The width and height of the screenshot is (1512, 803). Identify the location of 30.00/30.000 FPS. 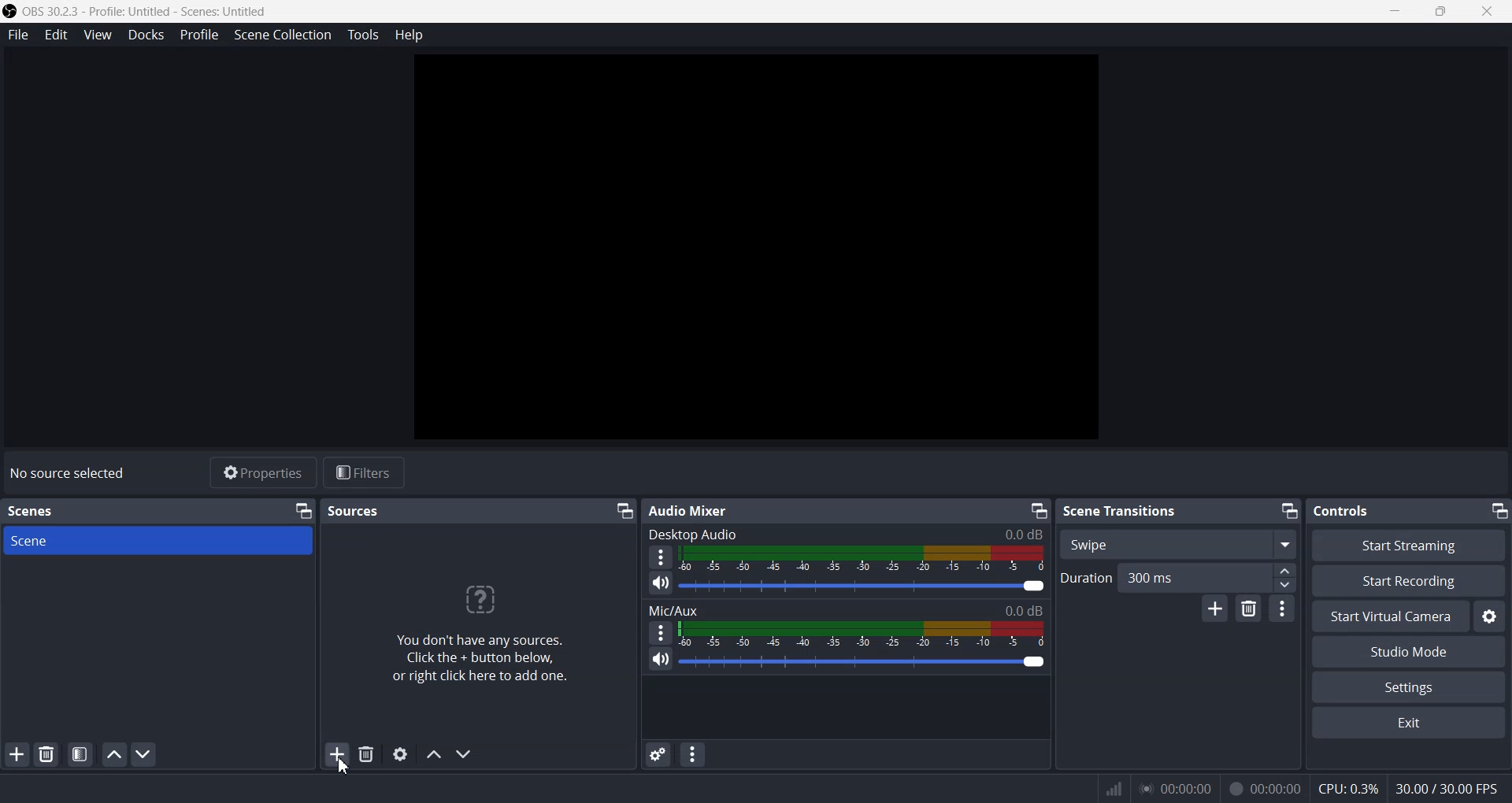
(1444, 788).